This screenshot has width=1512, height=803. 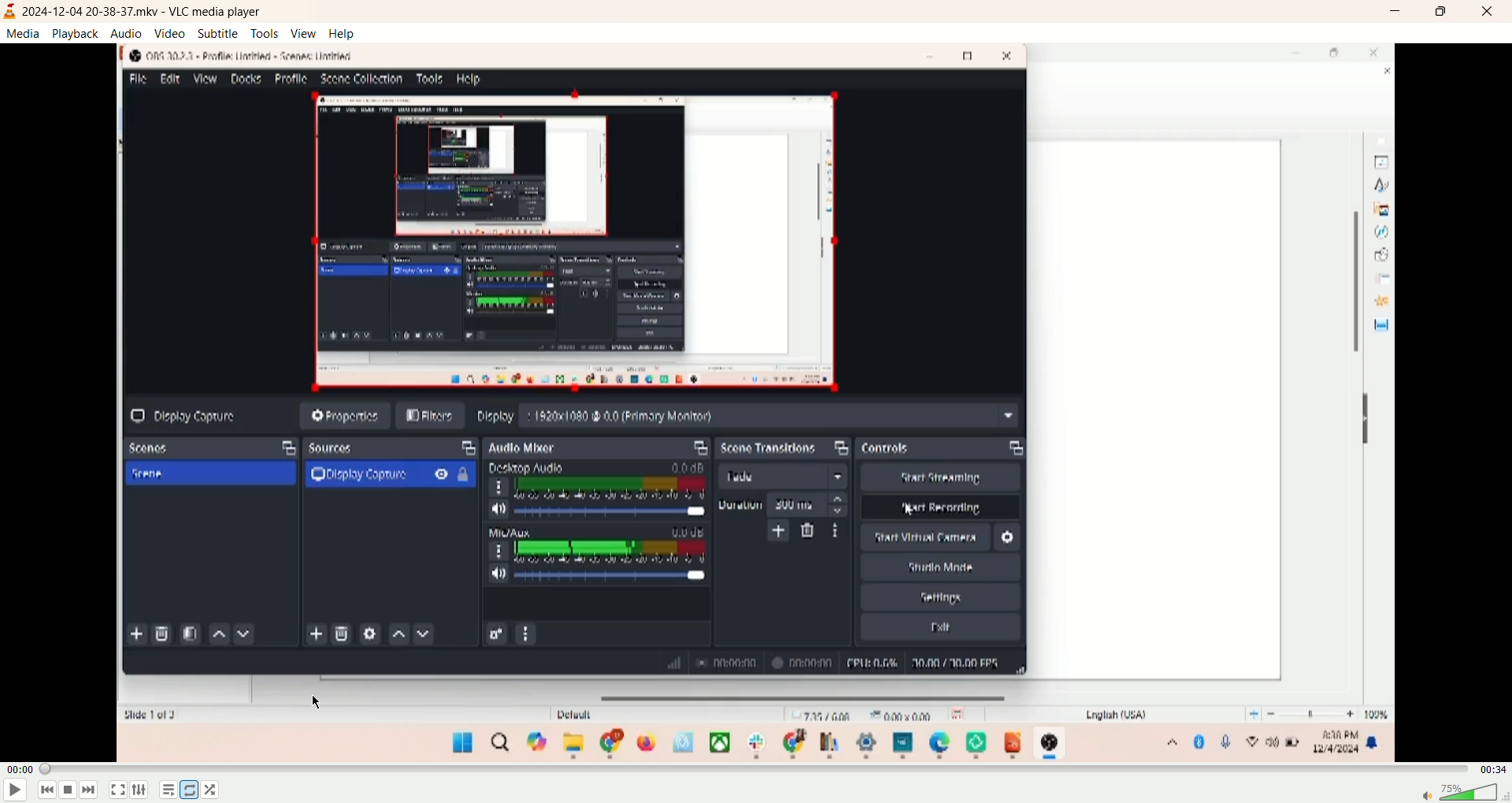 I want to click on close, so click(x=1494, y=11).